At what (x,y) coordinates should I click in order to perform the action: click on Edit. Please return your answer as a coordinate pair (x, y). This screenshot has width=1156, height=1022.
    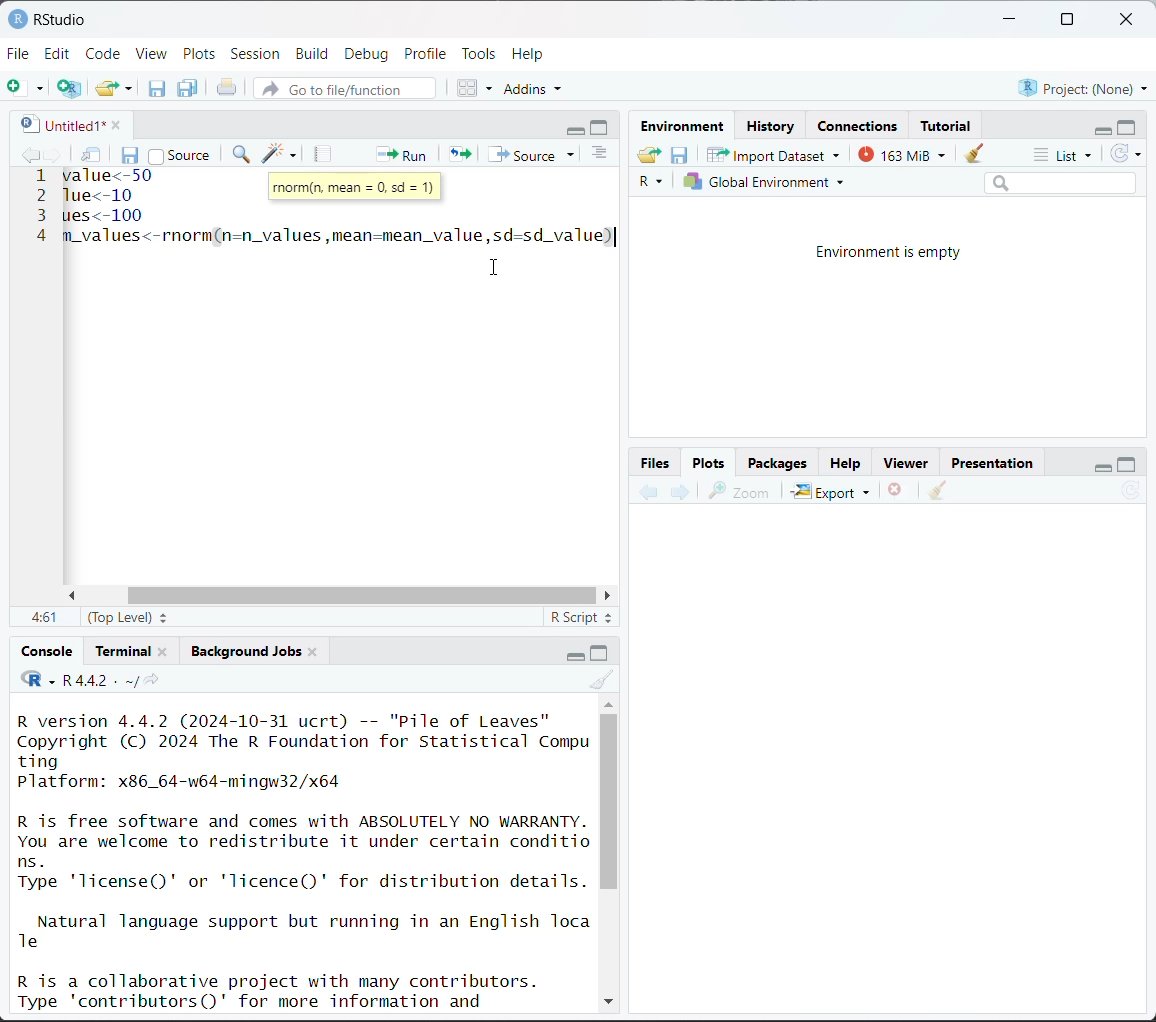
    Looking at the image, I should click on (60, 53).